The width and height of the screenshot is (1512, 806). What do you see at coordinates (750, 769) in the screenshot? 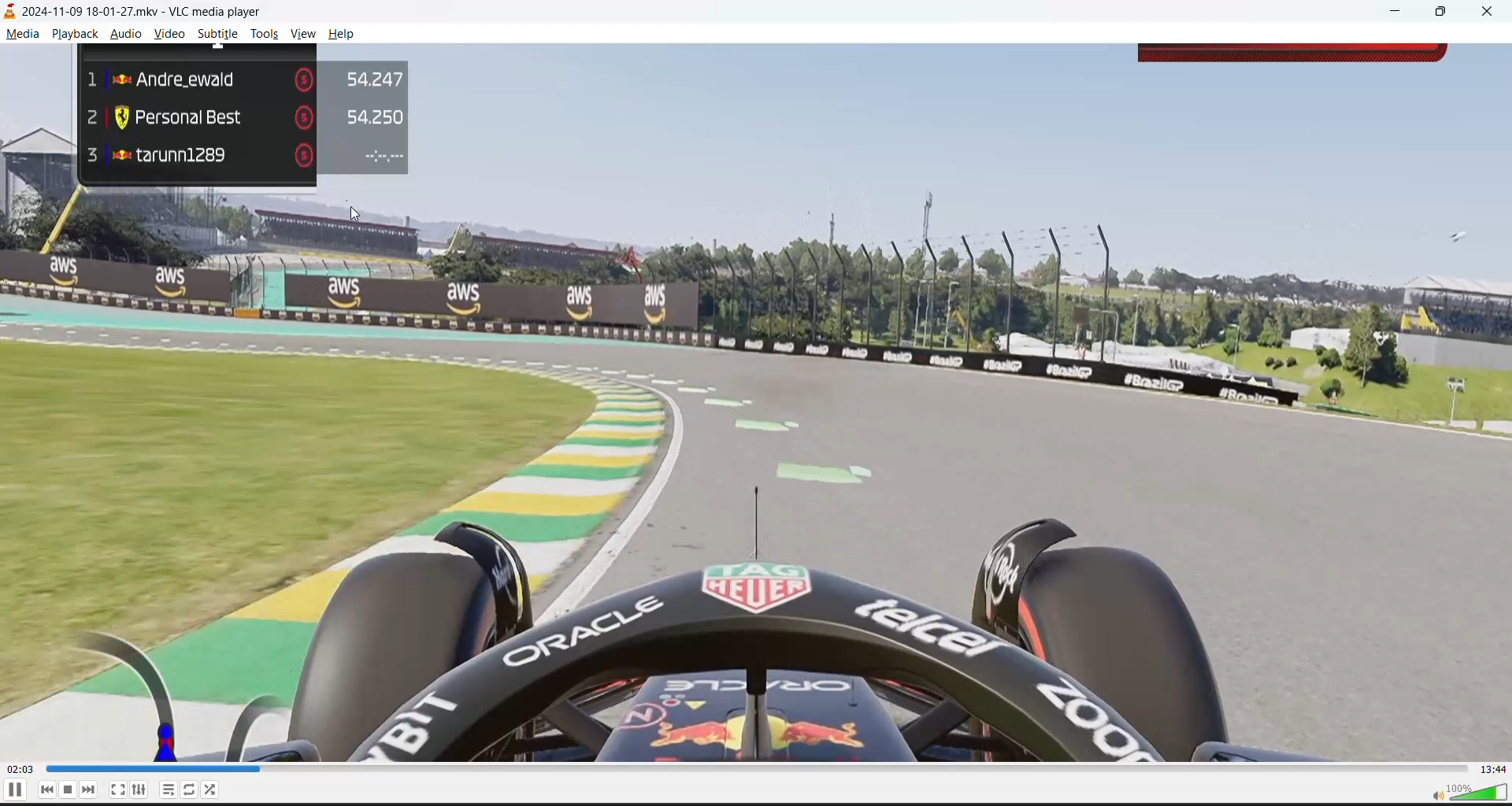
I see `track slider` at bounding box center [750, 769].